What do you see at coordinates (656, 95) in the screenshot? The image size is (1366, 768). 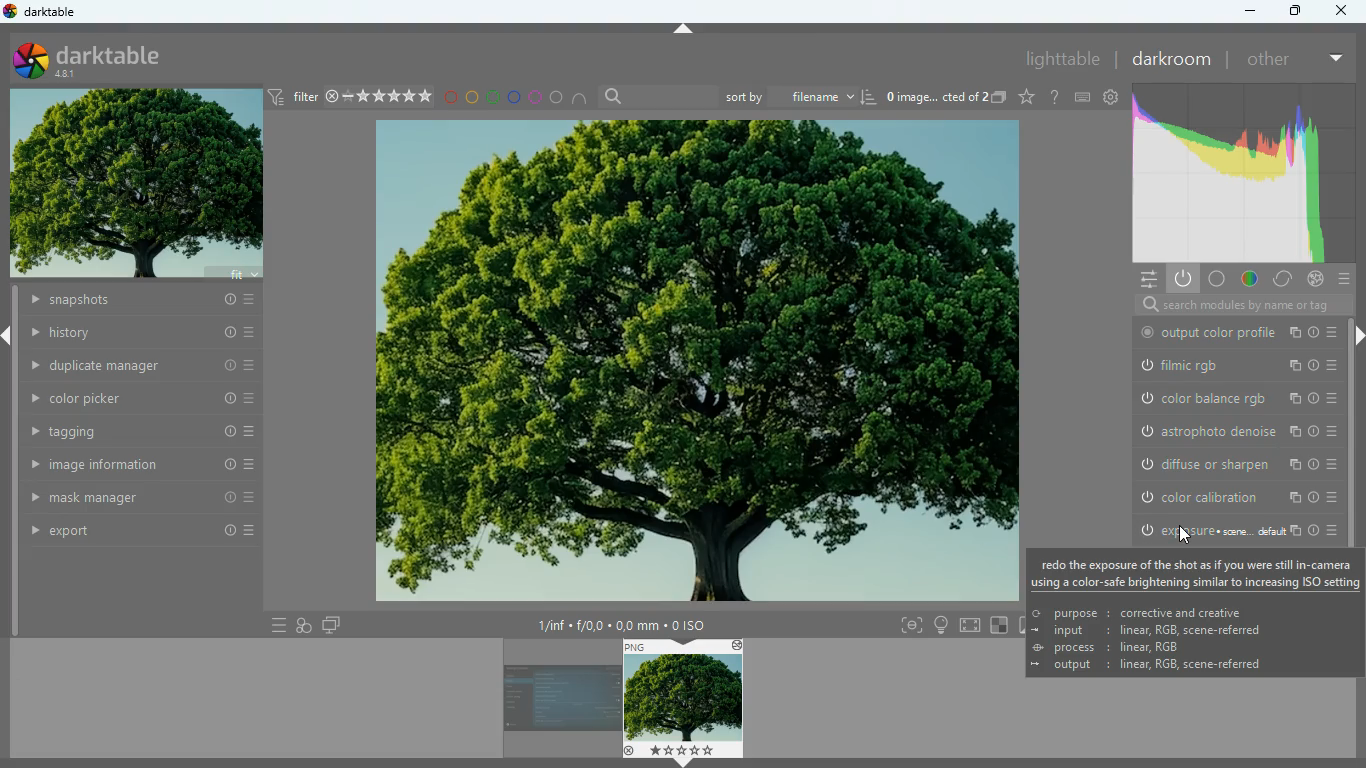 I see `search` at bounding box center [656, 95].